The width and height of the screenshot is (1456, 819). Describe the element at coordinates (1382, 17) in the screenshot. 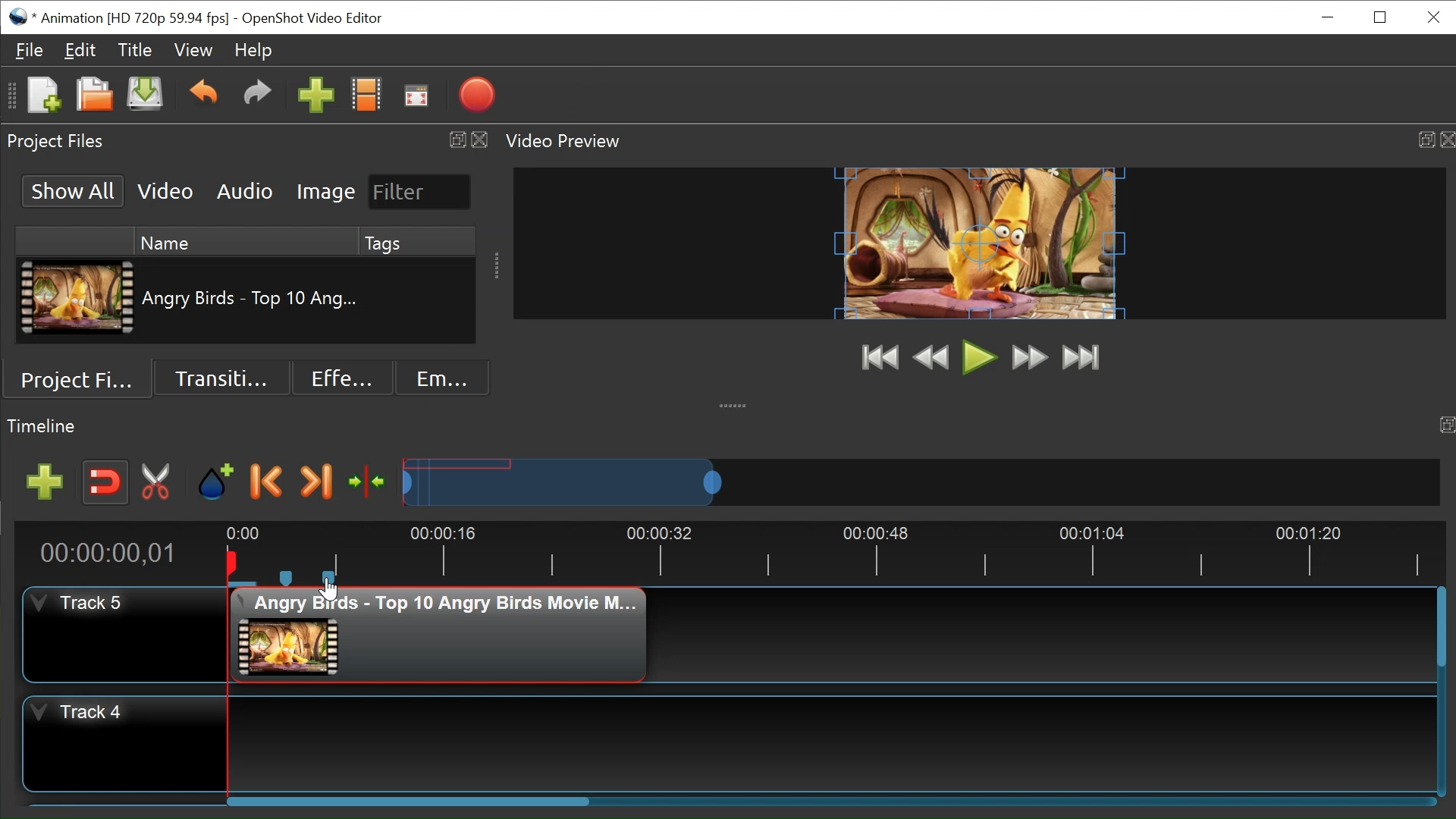

I see `Restore` at that location.